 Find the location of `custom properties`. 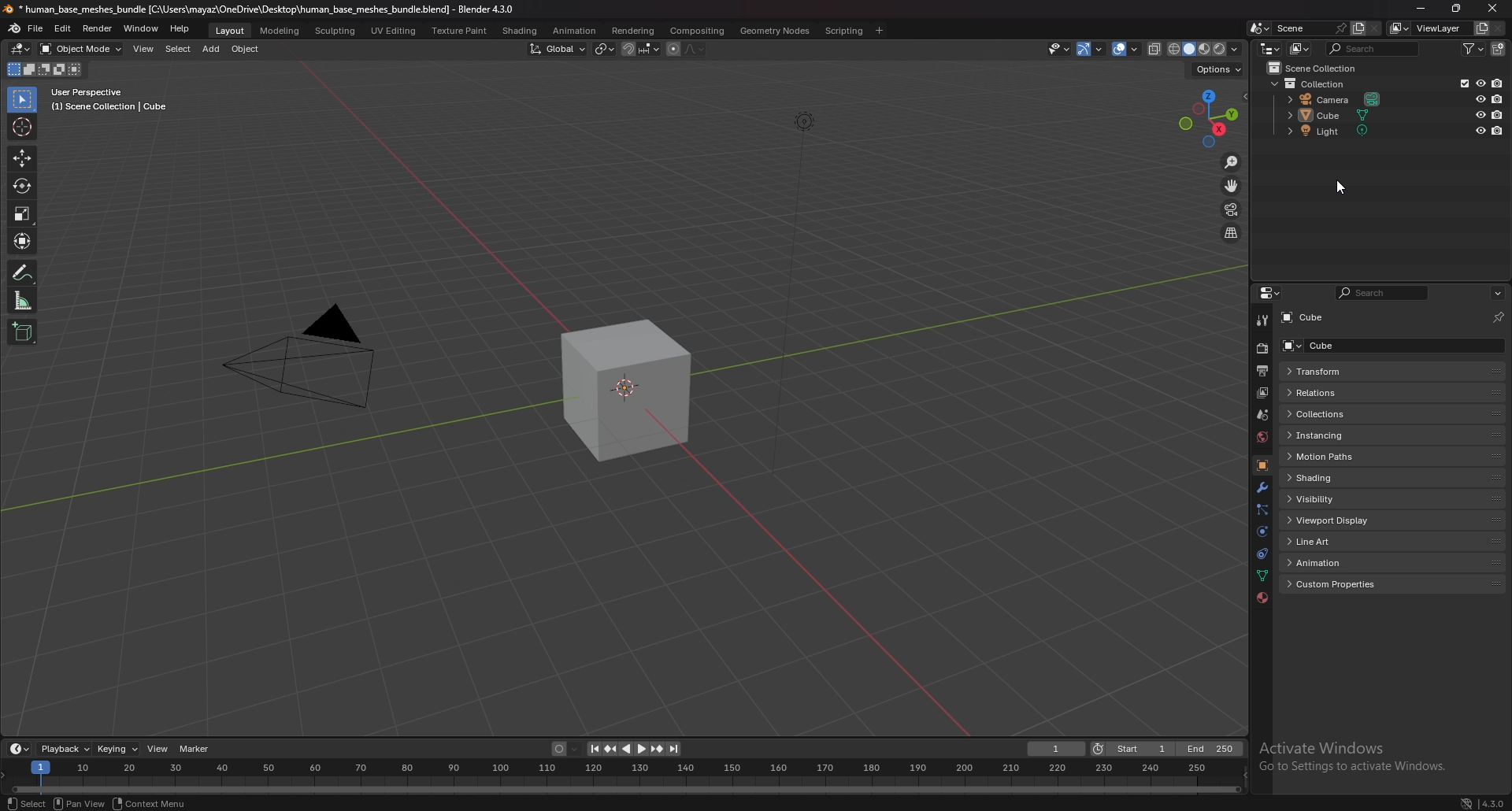

custom properties is located at coordinates (1345, 585).